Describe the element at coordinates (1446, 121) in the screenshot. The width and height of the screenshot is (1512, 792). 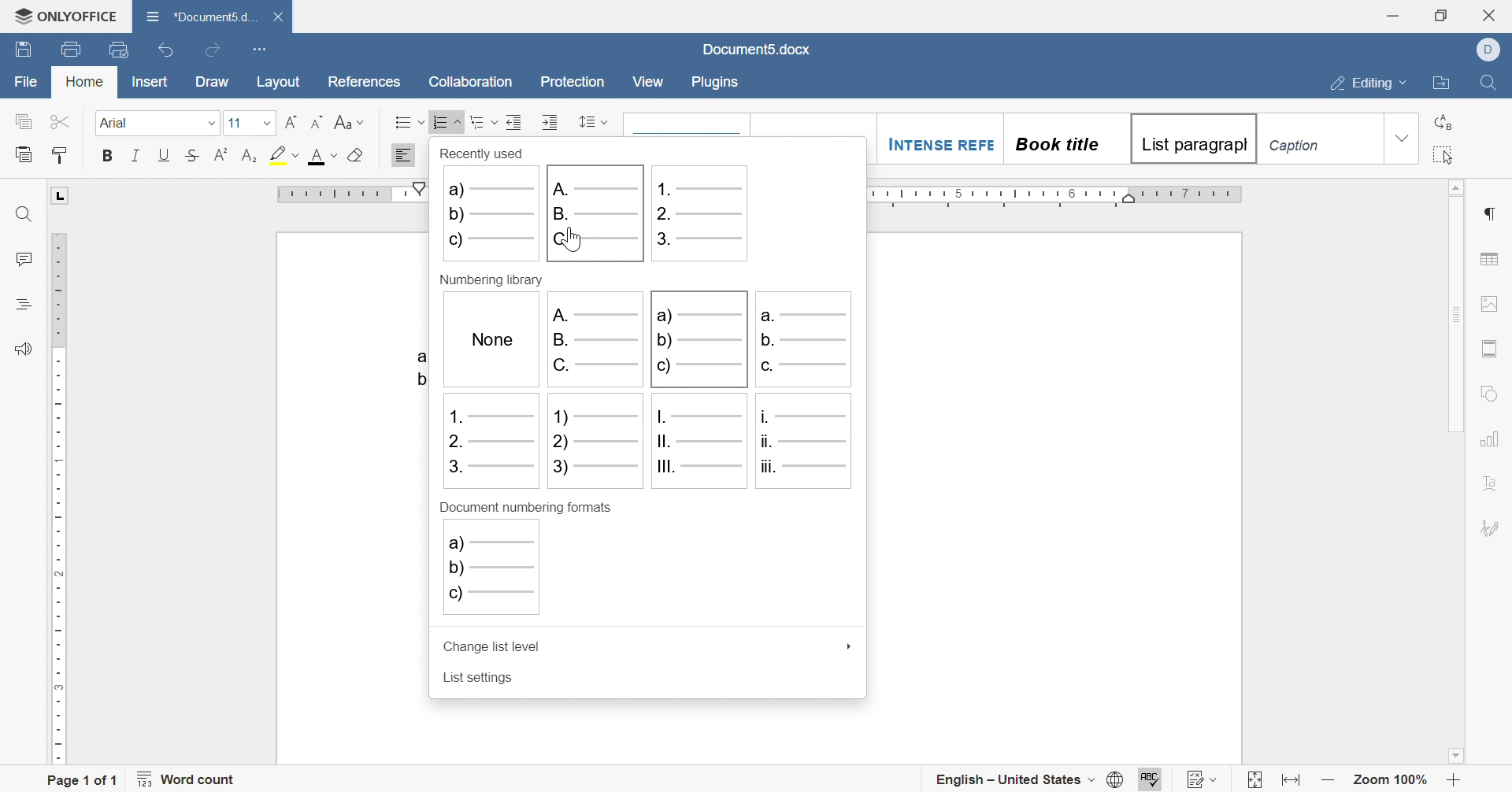
I see `replace` at that location.